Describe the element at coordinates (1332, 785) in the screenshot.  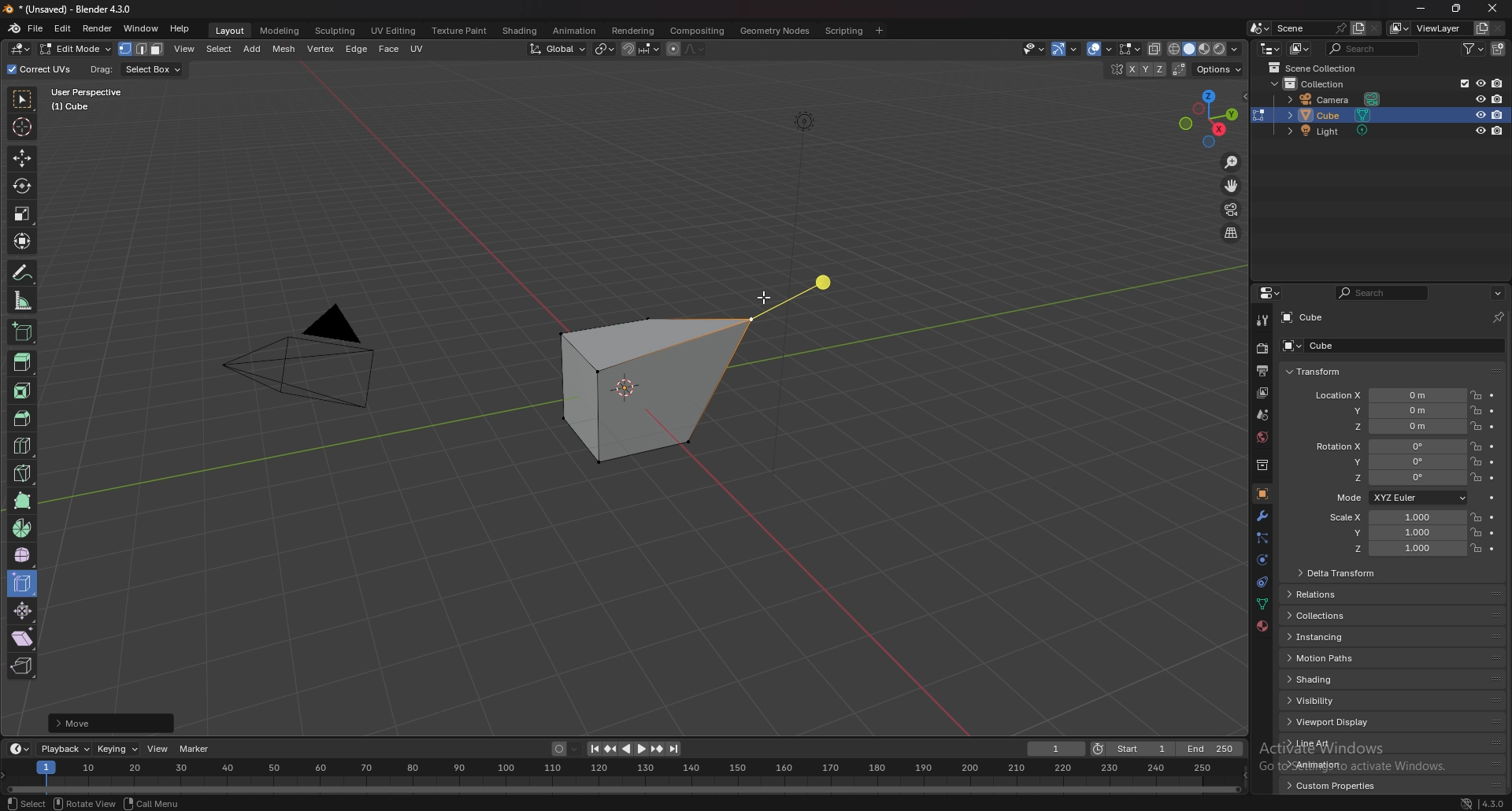
I see `custom properties` at that location.